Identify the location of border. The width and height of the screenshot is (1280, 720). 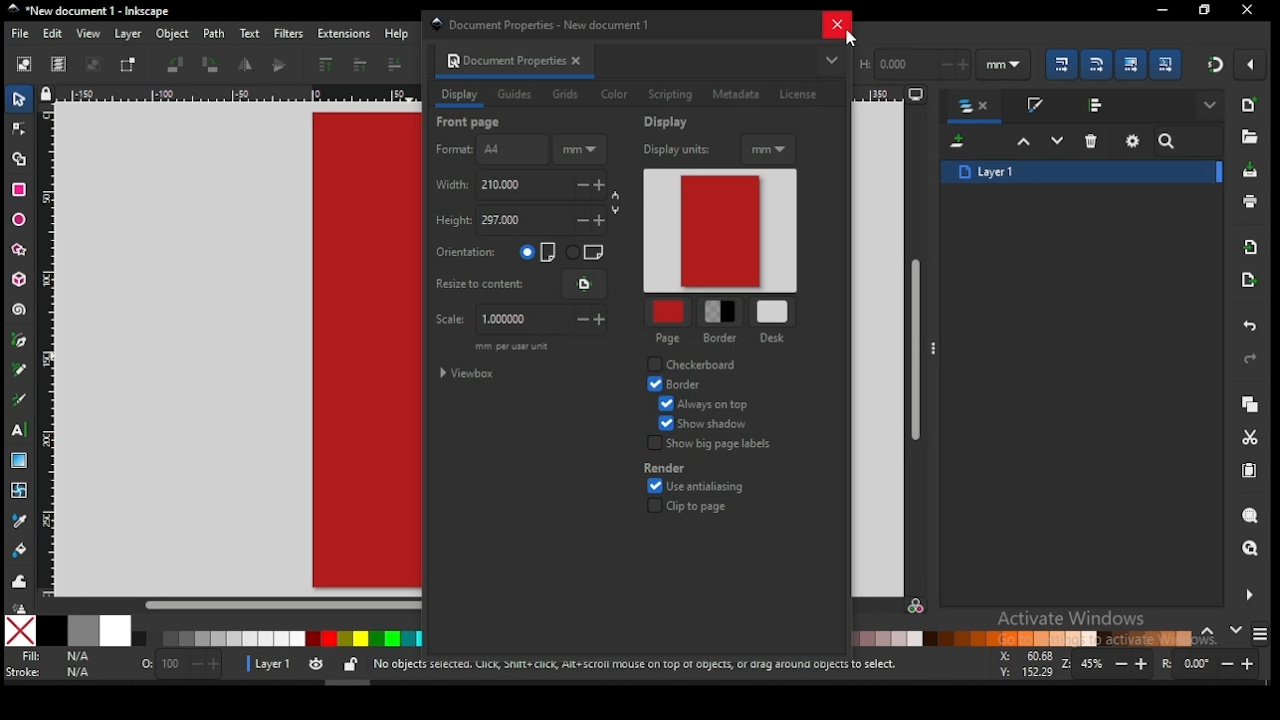
(722, 312).